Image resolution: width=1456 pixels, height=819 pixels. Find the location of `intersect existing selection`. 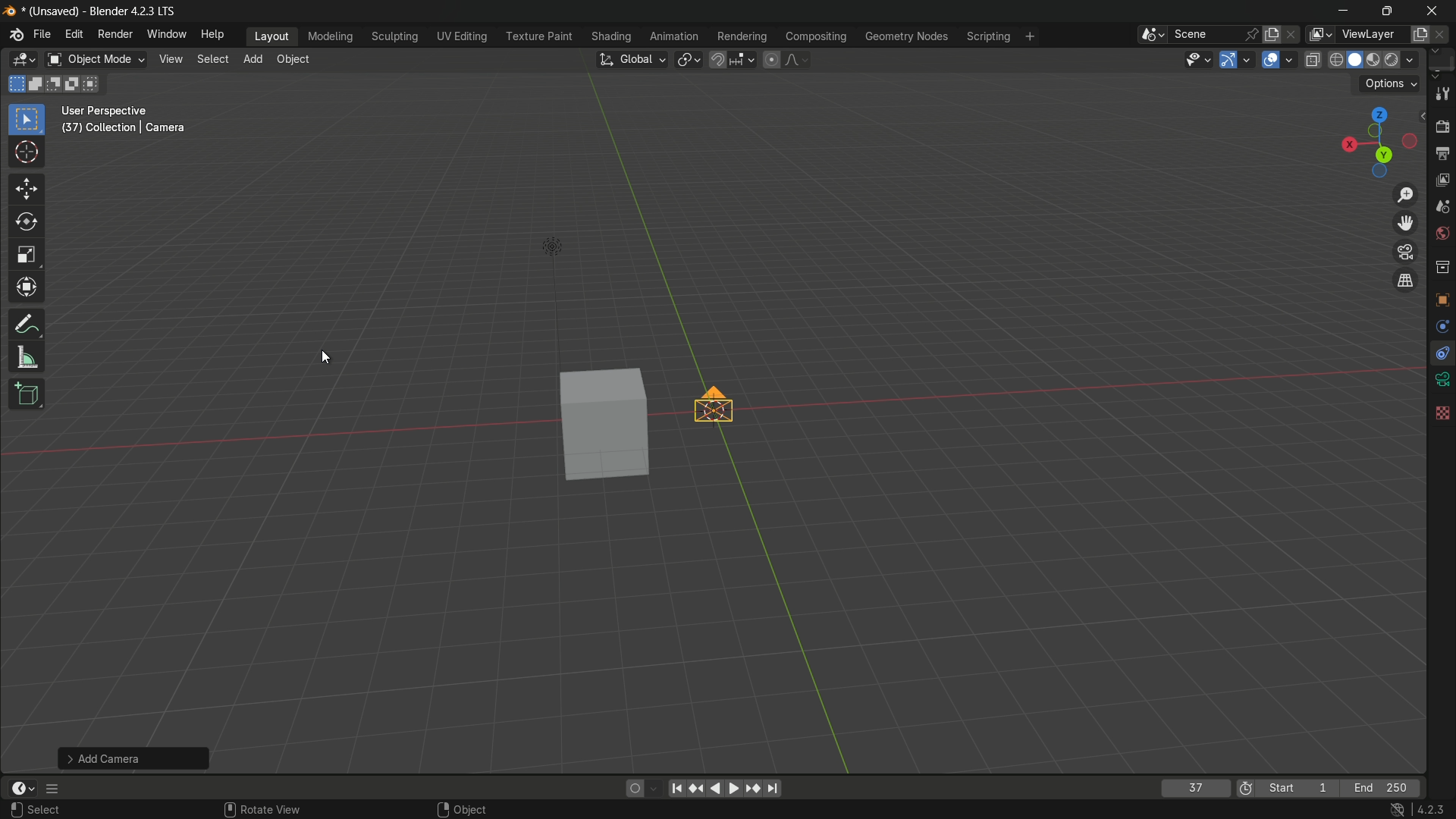

intersect existing selection is located at coordinates (98, 84).